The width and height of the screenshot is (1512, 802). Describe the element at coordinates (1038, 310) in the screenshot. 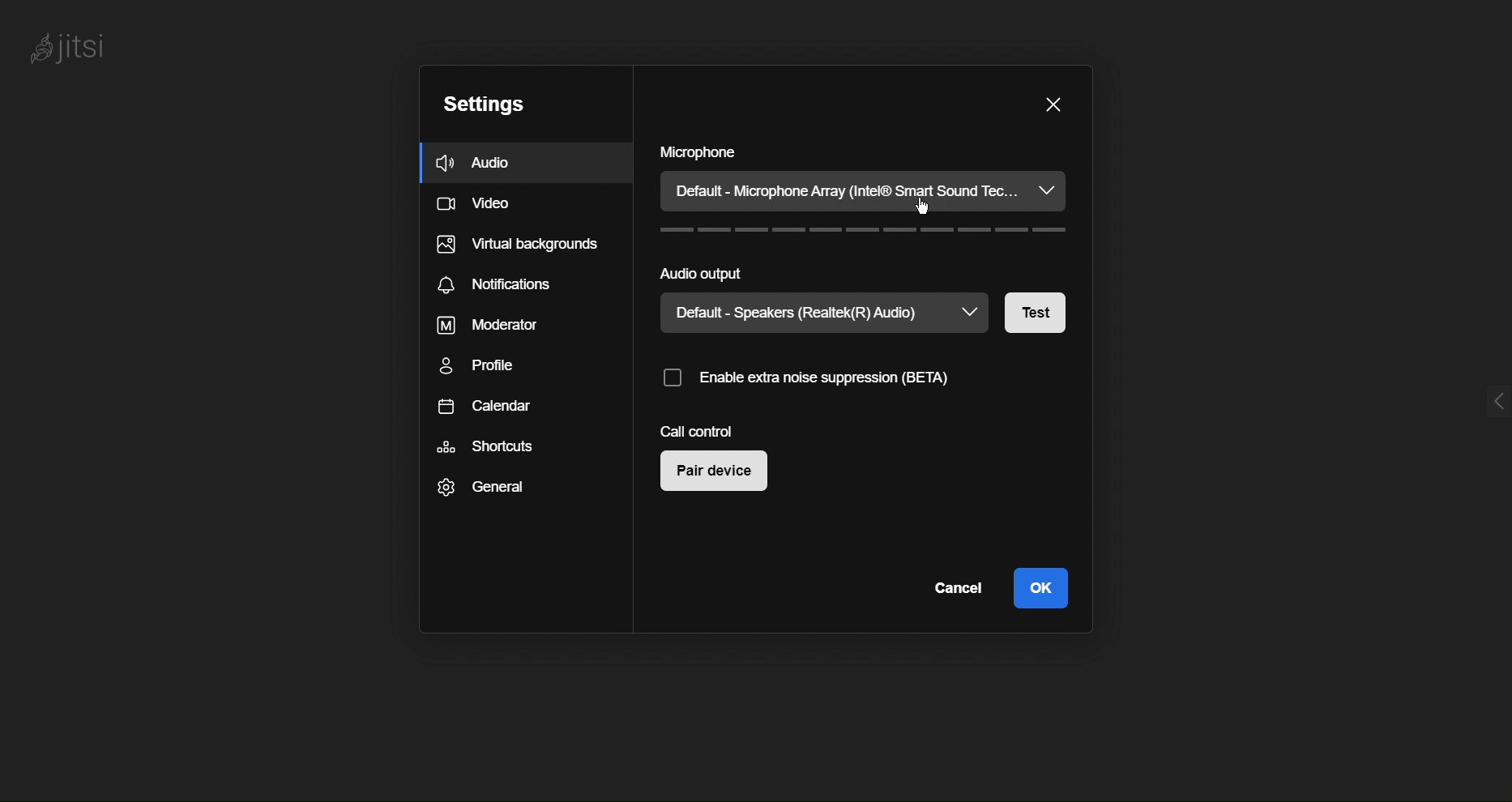

I see `Test` at that location.